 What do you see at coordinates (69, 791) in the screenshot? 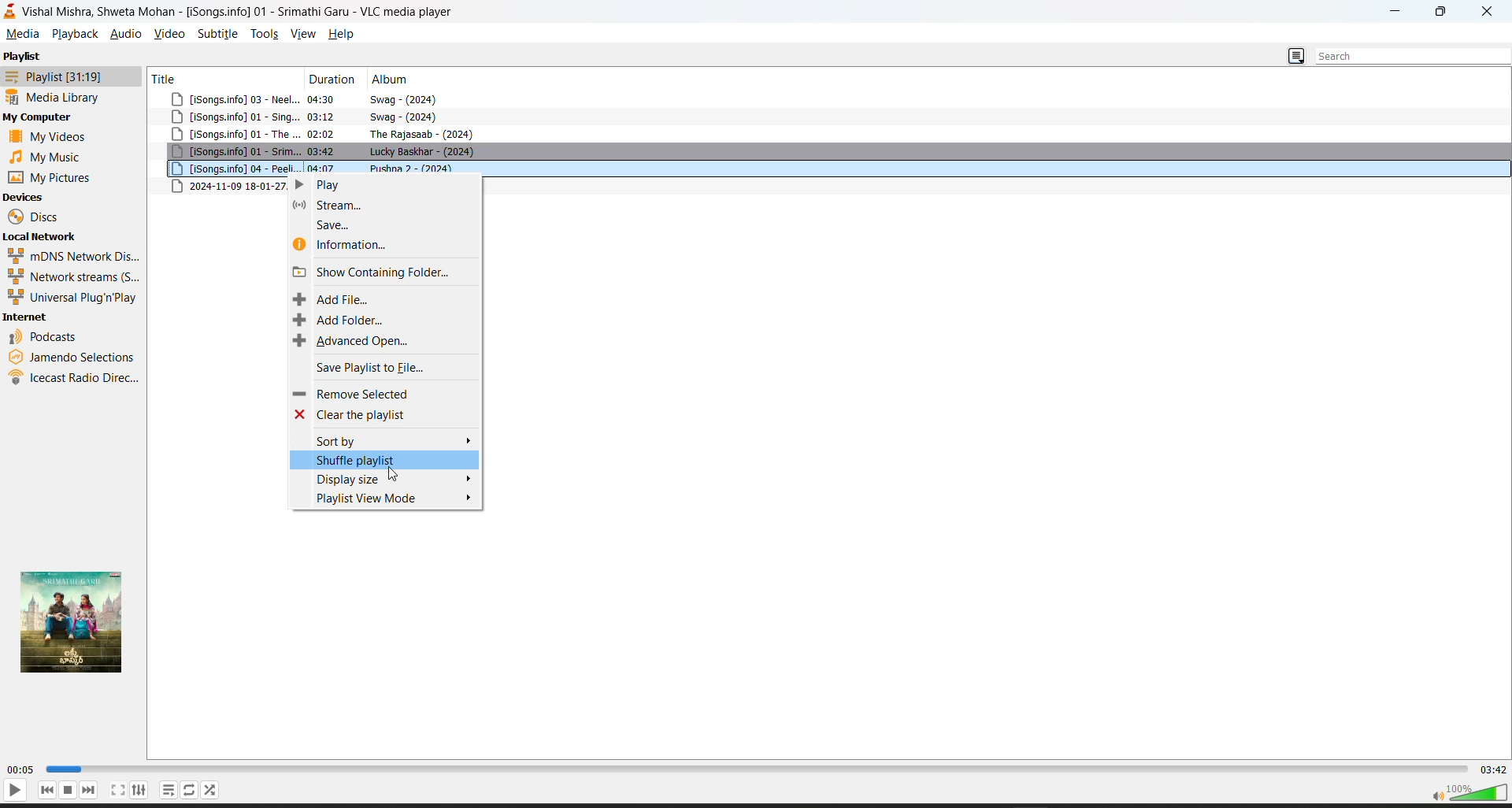
I see `stop` at bounding box center [69, 791].